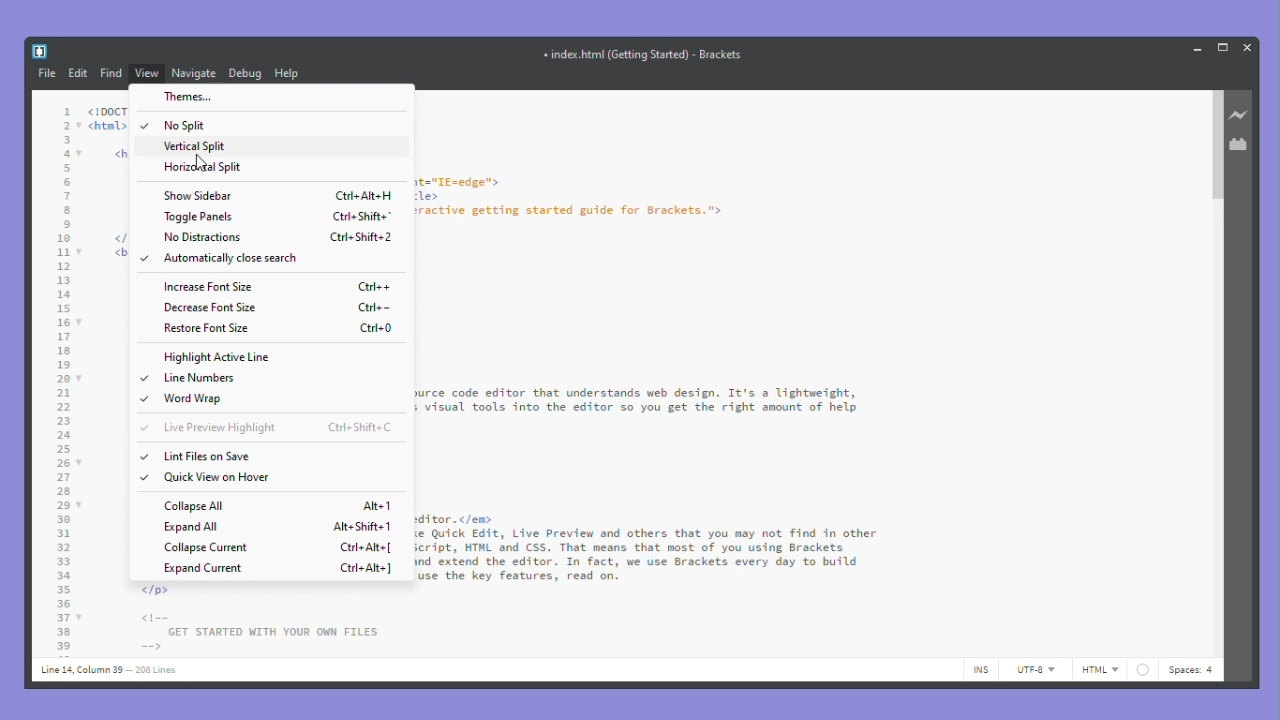  I want to click on 15, so click(64, 309).